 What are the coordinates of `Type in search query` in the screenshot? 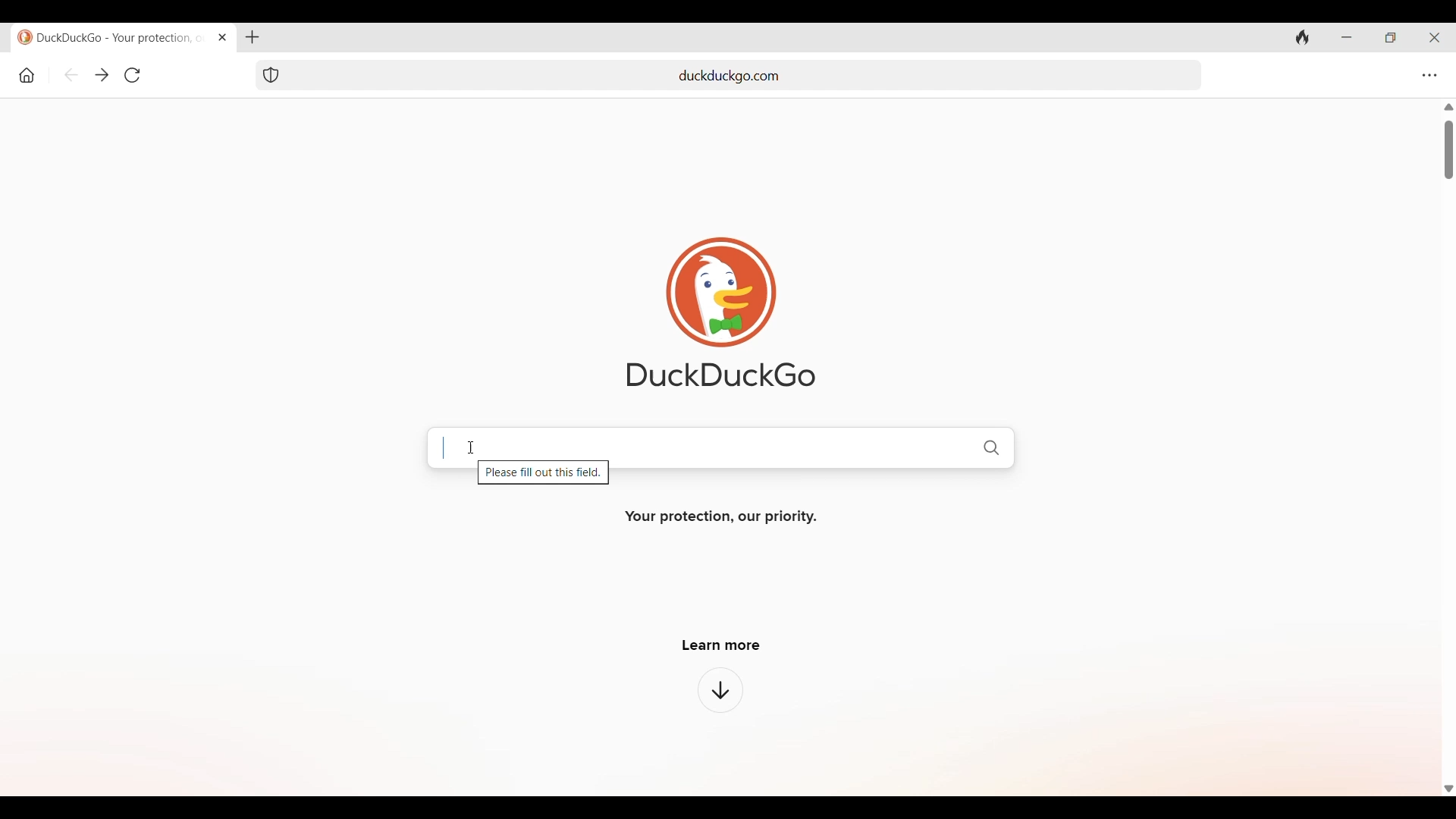 It's located at (735, 446).